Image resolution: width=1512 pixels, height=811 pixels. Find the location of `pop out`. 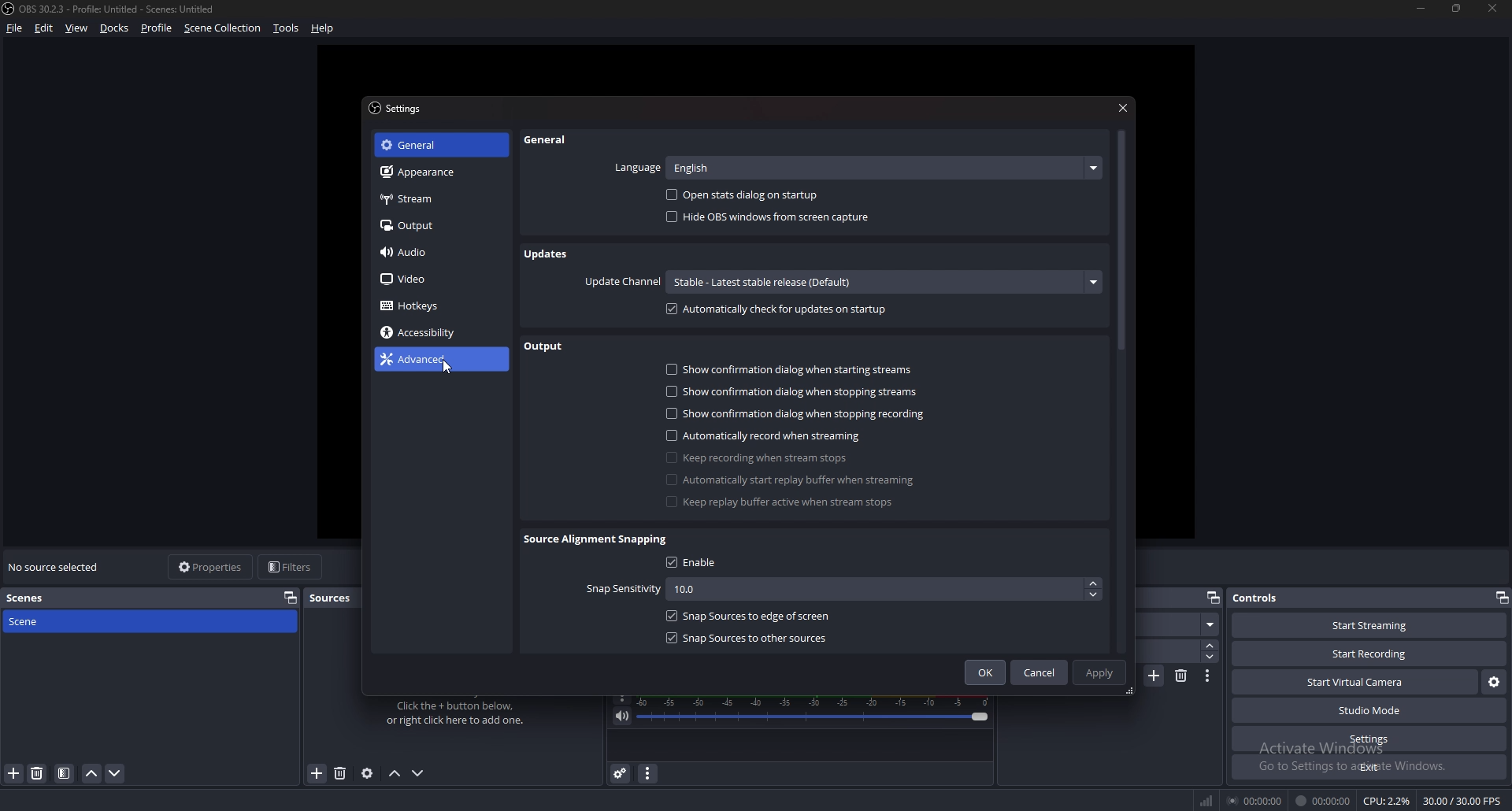

pop out is located at coordinates (1214, 597).